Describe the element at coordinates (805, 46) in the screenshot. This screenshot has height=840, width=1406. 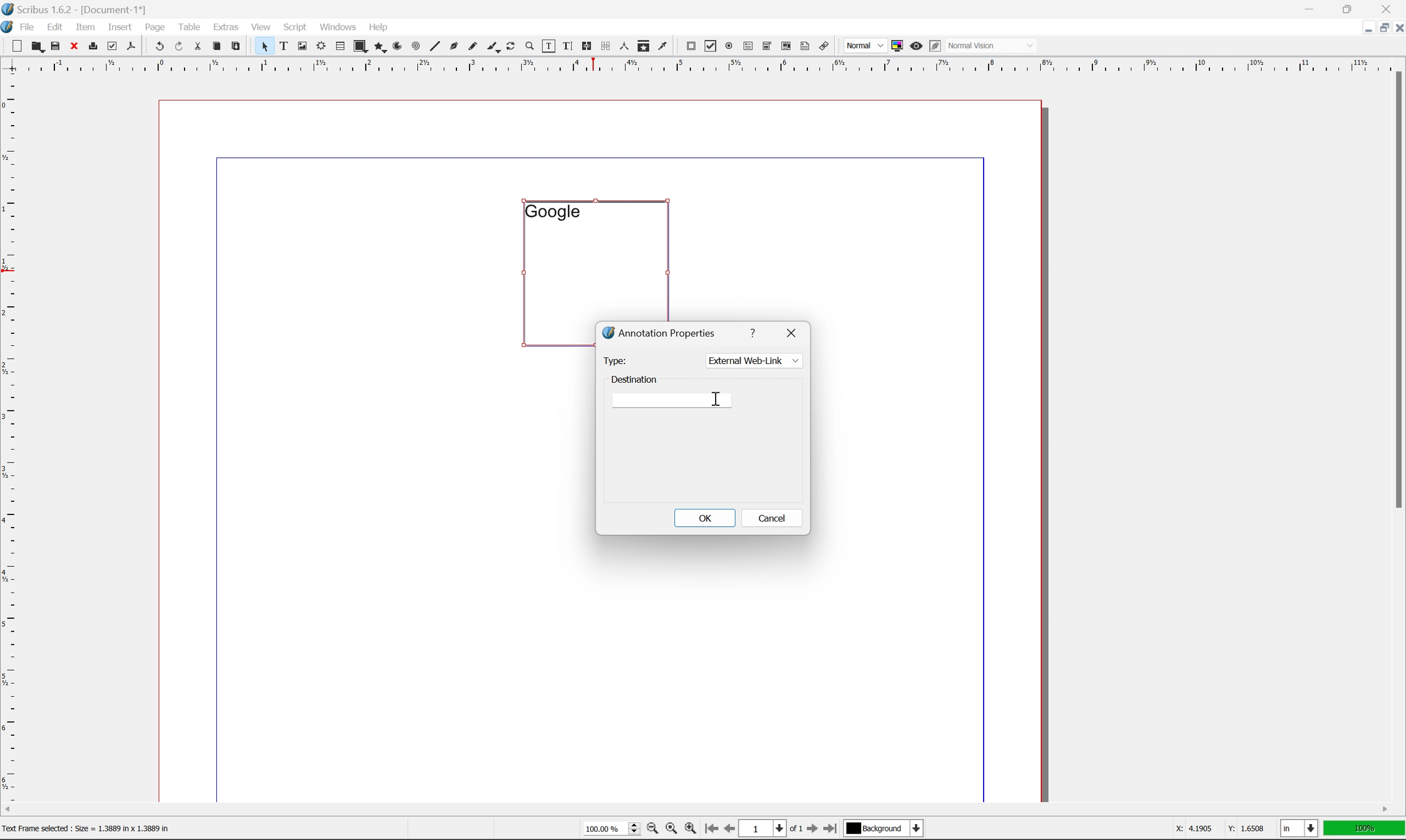
I see `text annotation` at that location.